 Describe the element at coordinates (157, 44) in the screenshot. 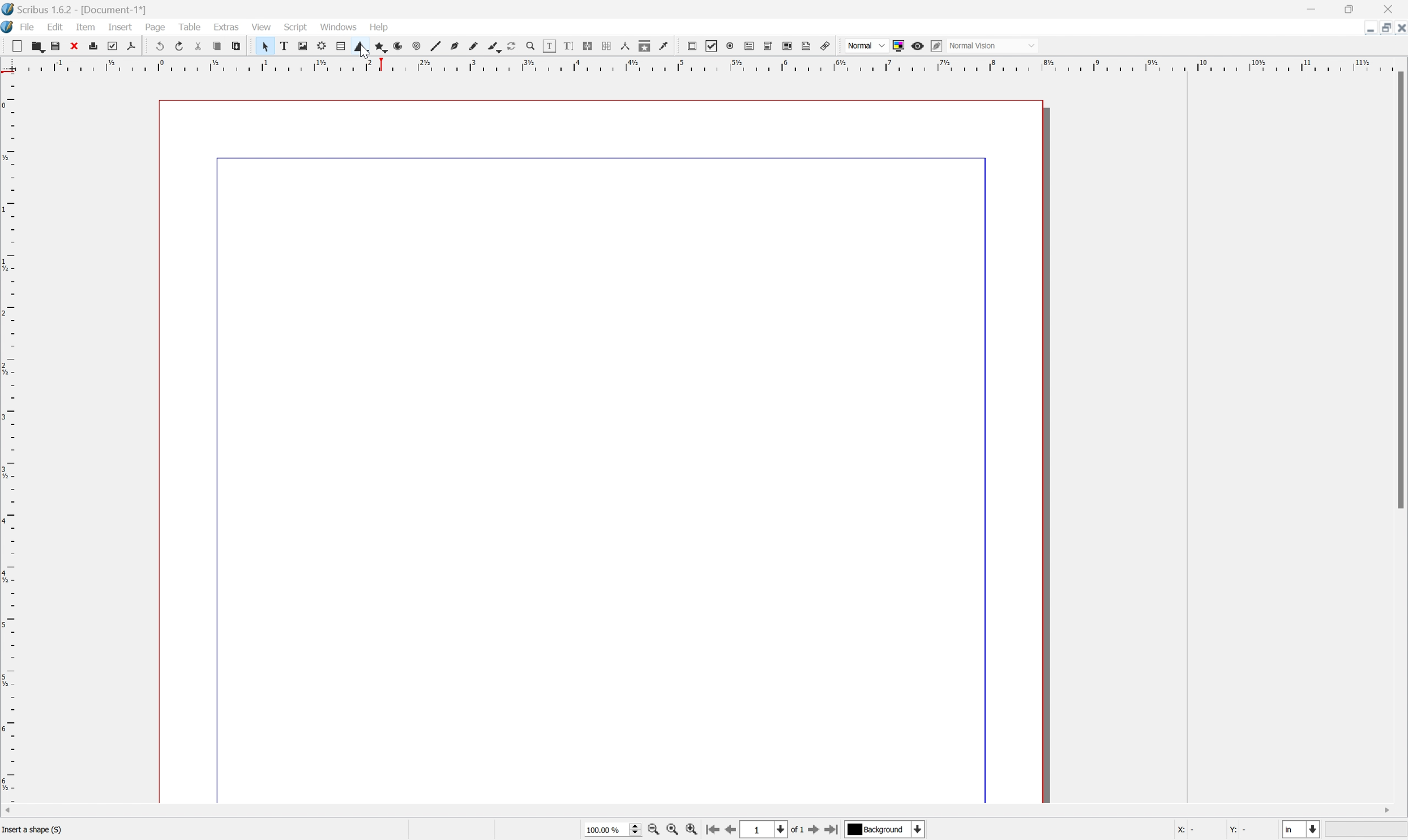

I see `Undo` at that location.